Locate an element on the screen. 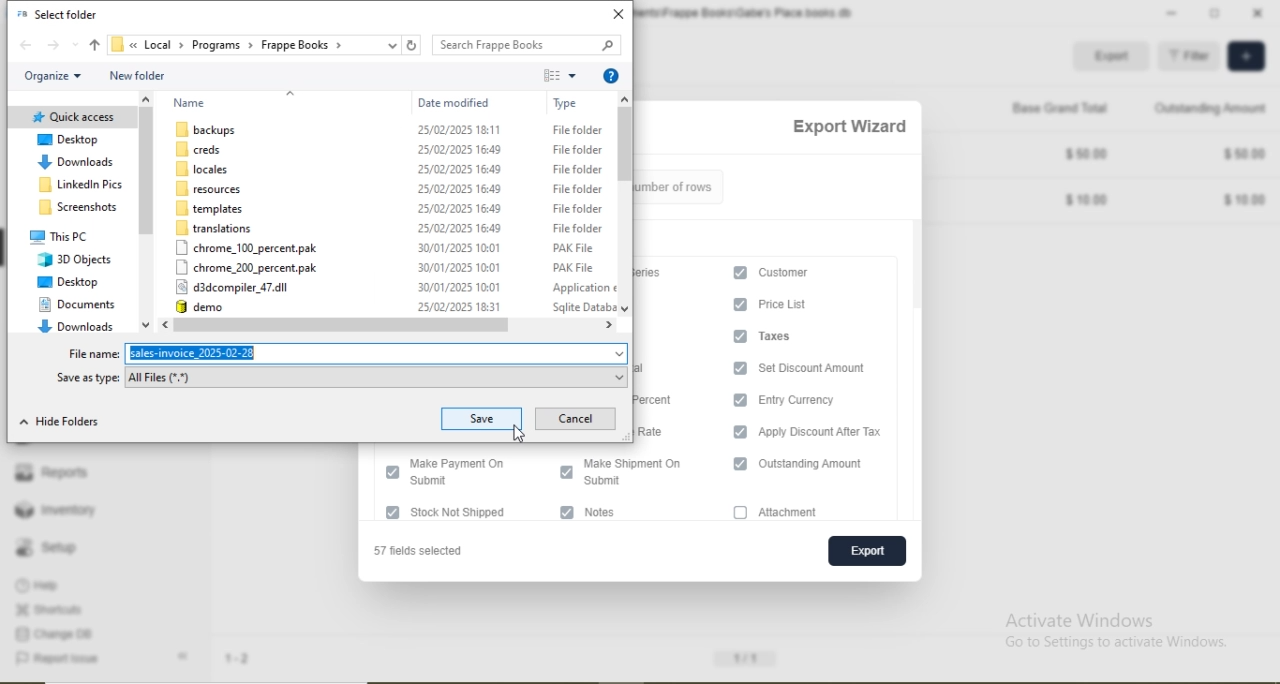  Quick access is located at coordinates (74, 117).